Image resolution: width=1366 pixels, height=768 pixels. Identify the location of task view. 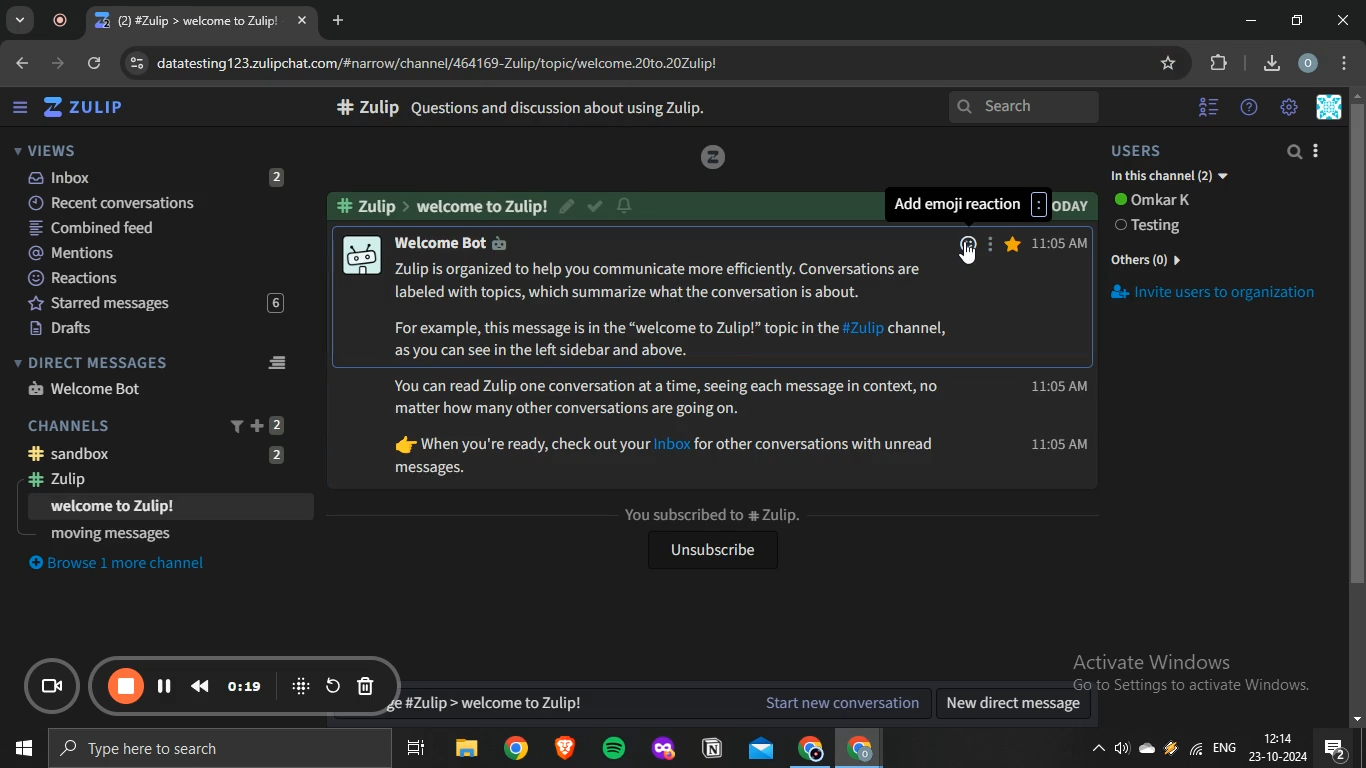
(416, 750).